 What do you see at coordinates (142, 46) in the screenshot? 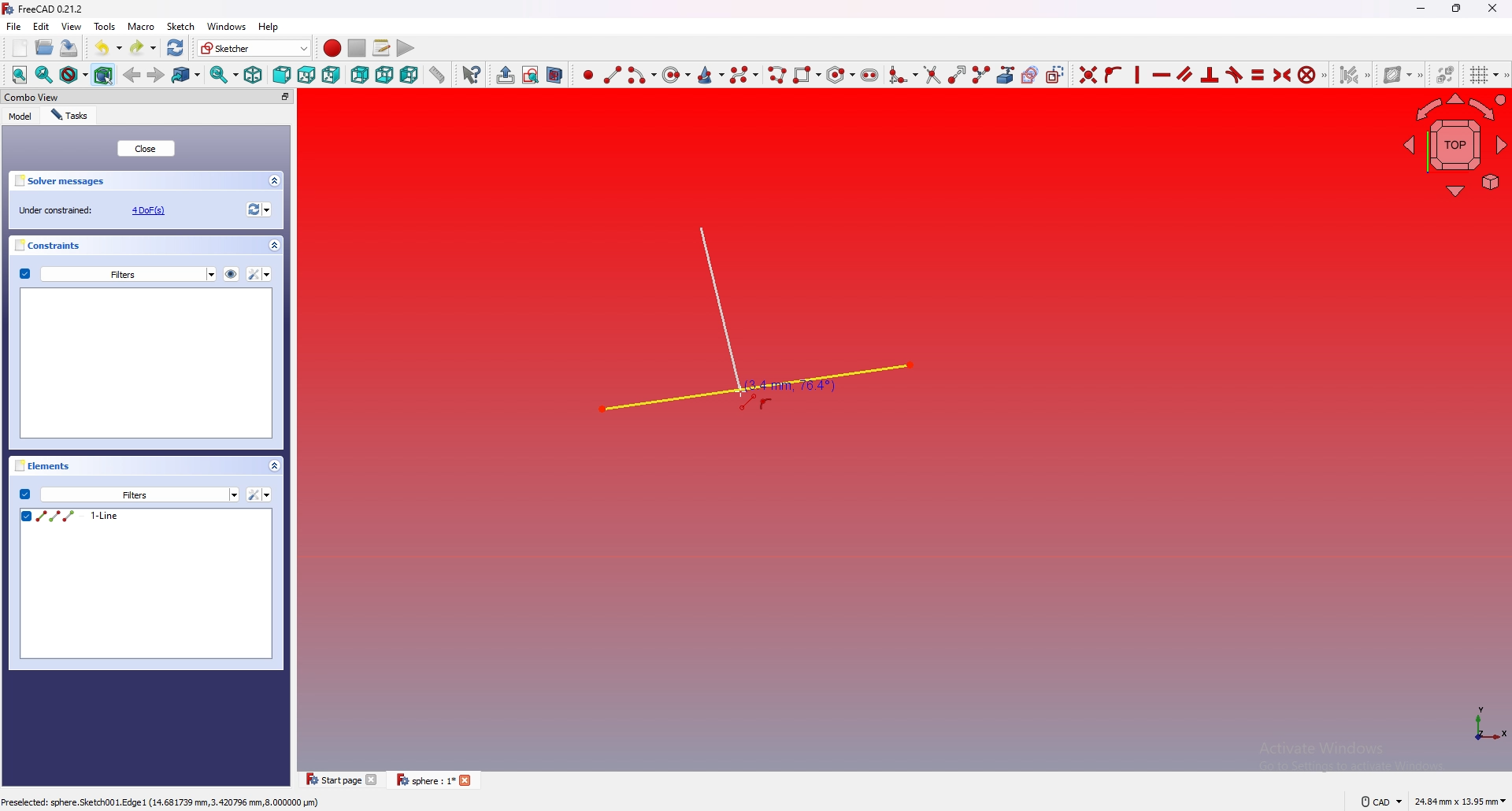
I see `Redo` at bounding box center [142, 46].